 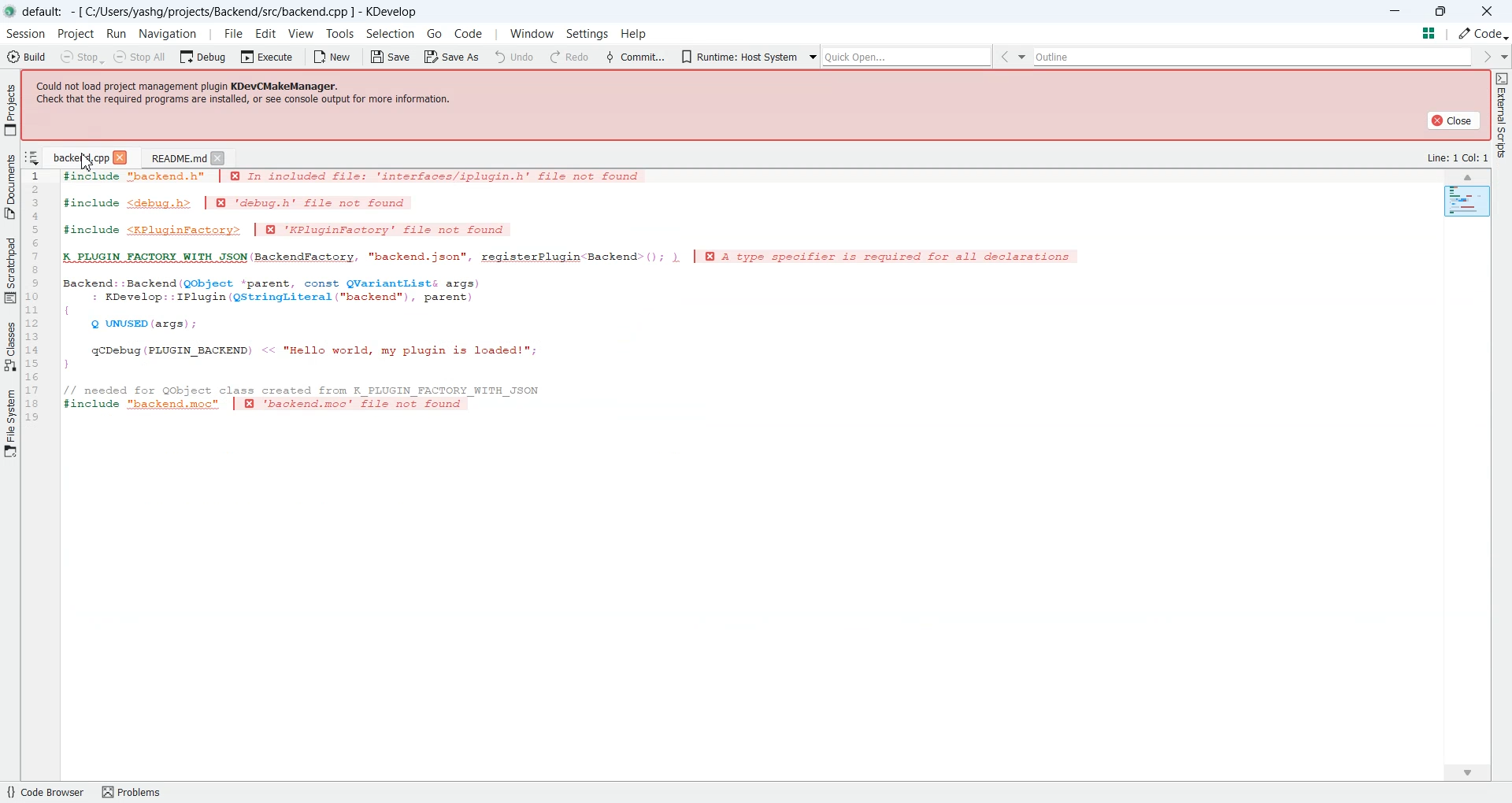 What do you see at coordinates (1288, 57) in the screenshot?
I see `Go forward` at bounding box center [1288, 57].